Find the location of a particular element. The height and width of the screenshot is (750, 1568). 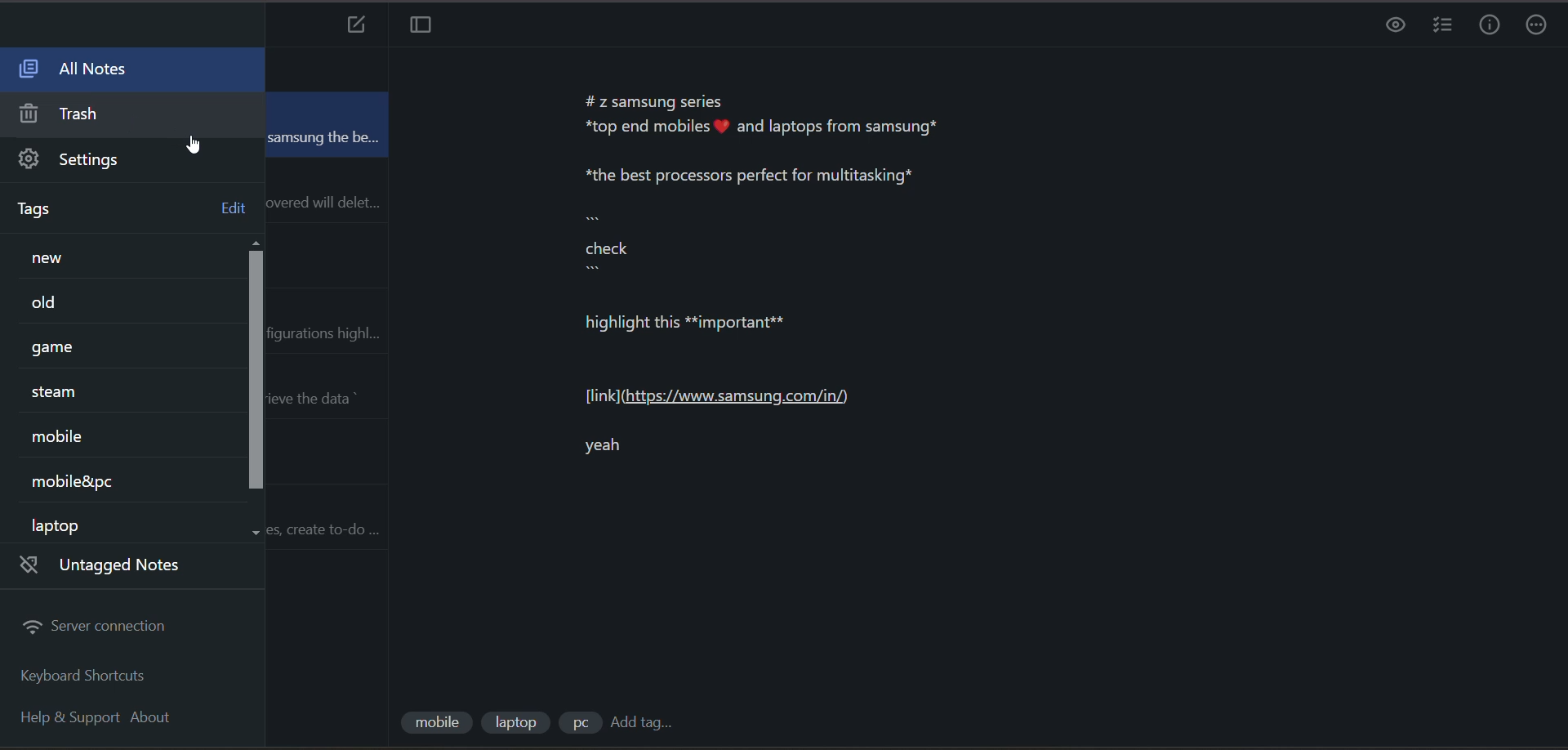

about is located at coordinates (163, 717).